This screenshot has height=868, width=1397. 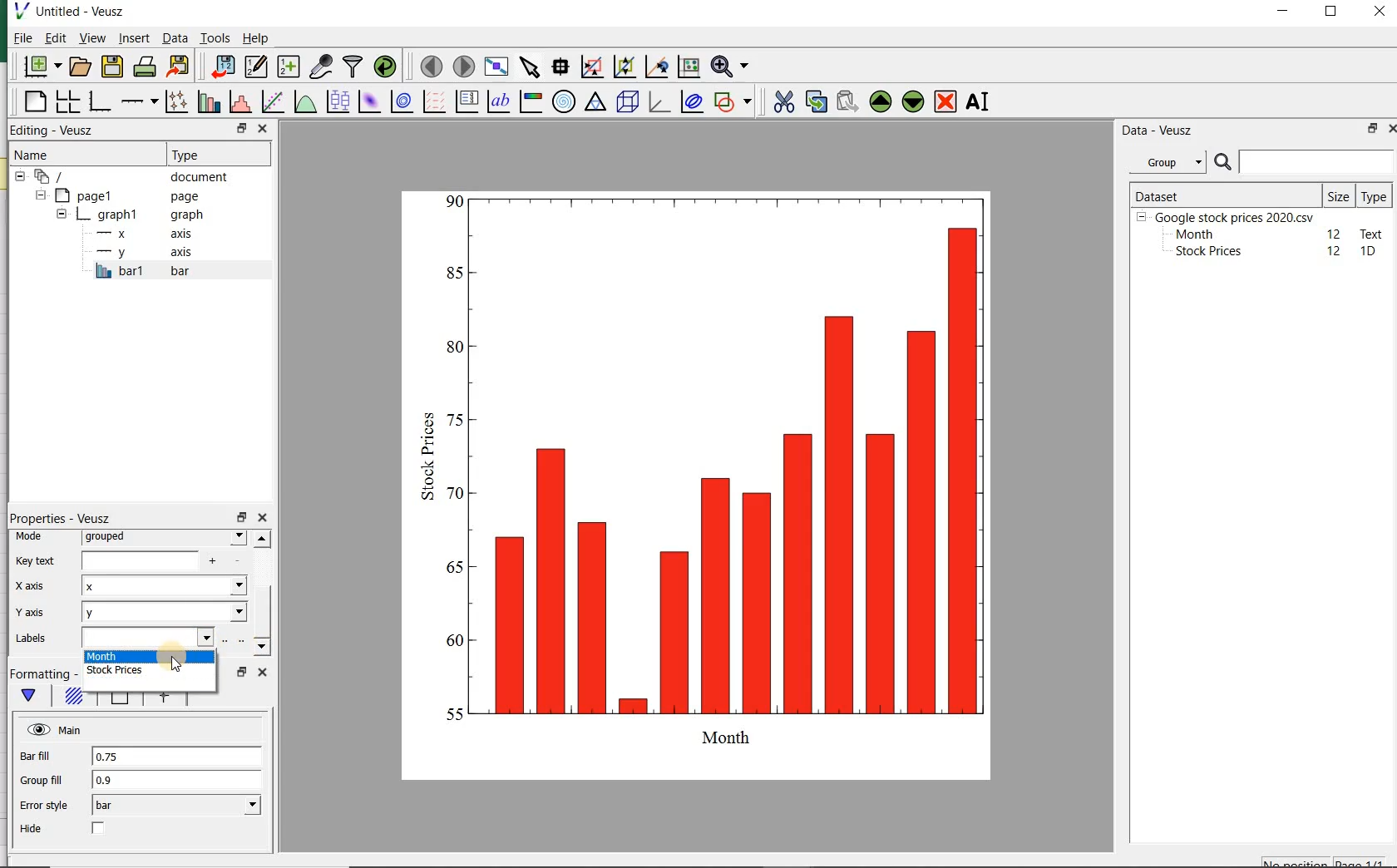 I want to click on Properties - Veusz, so click(x=65, y=518).